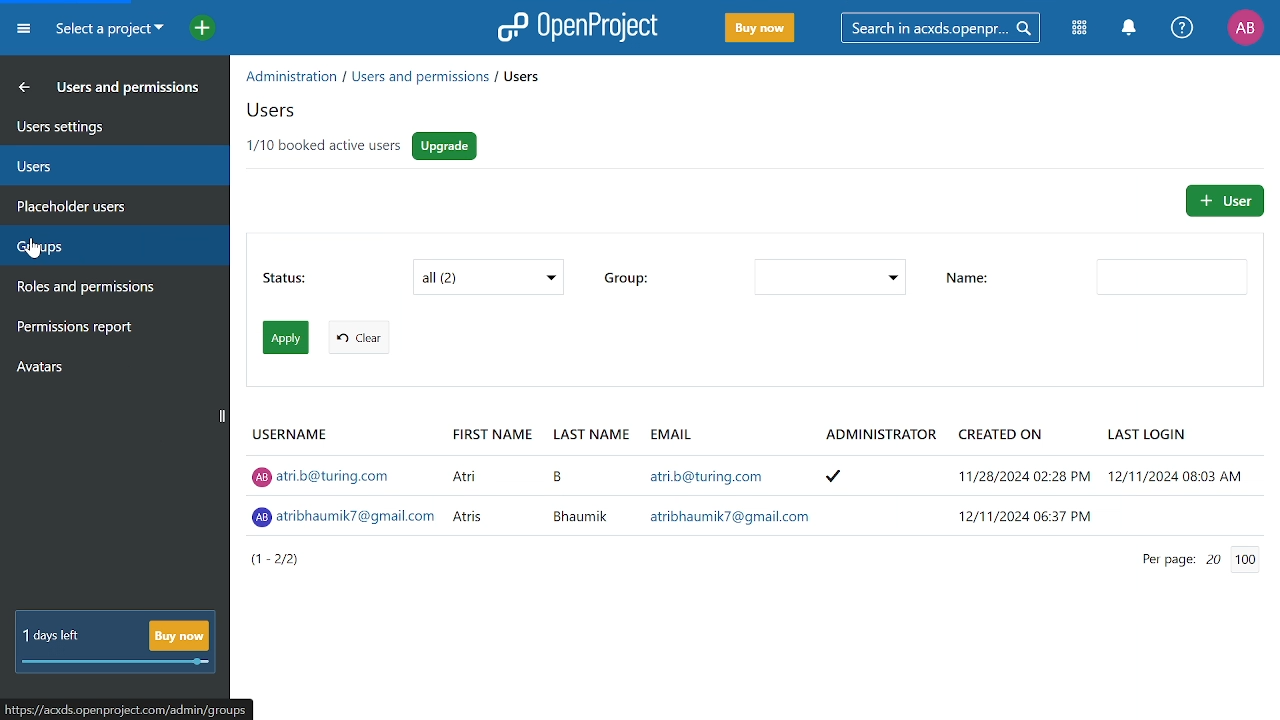  Describe the element at coordinates (845, 495) in the screenshot. I see `administrator` at that location.